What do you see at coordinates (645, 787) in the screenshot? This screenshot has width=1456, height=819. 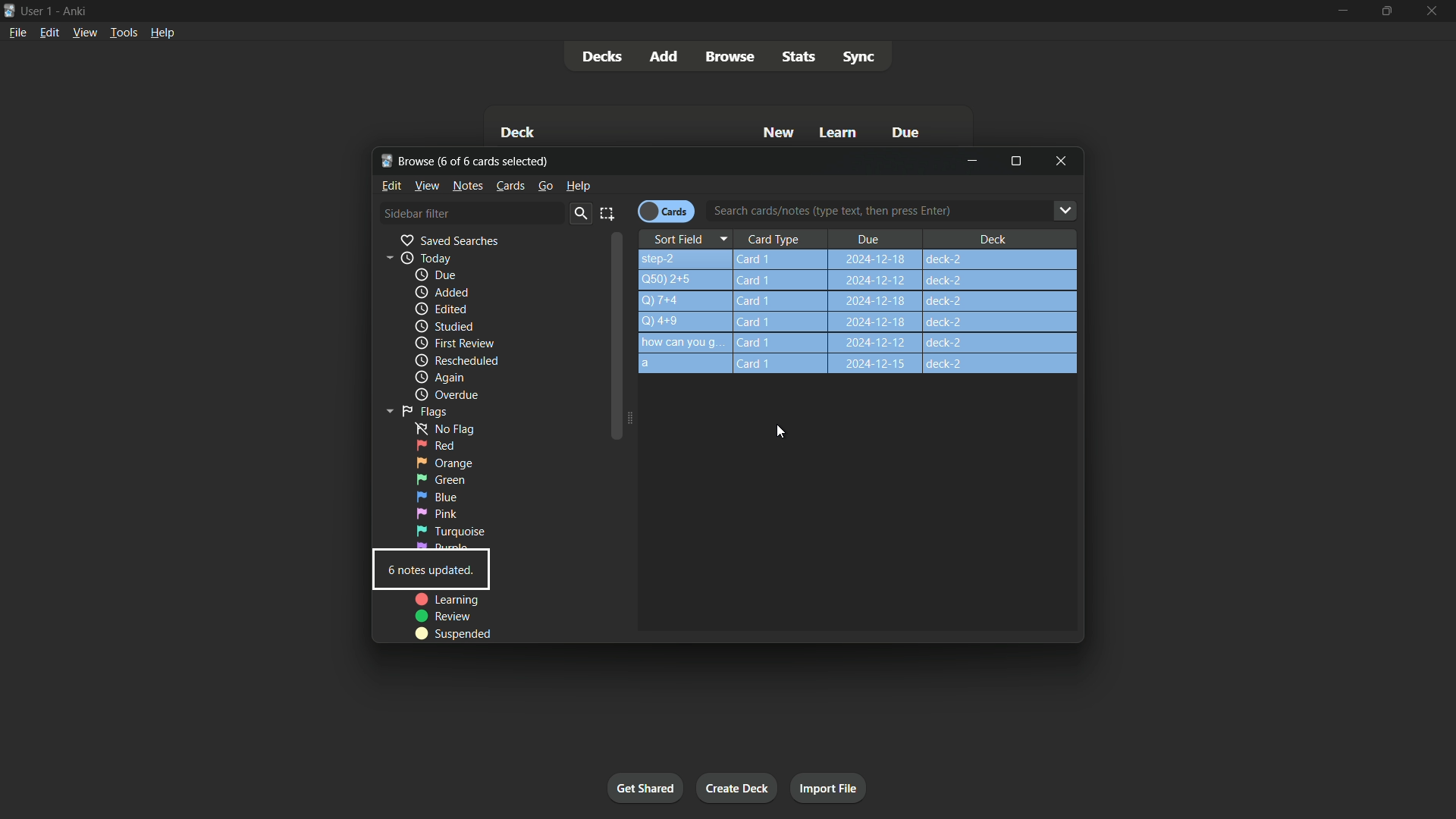 I see `Get started` at bounding box center [645, 787].